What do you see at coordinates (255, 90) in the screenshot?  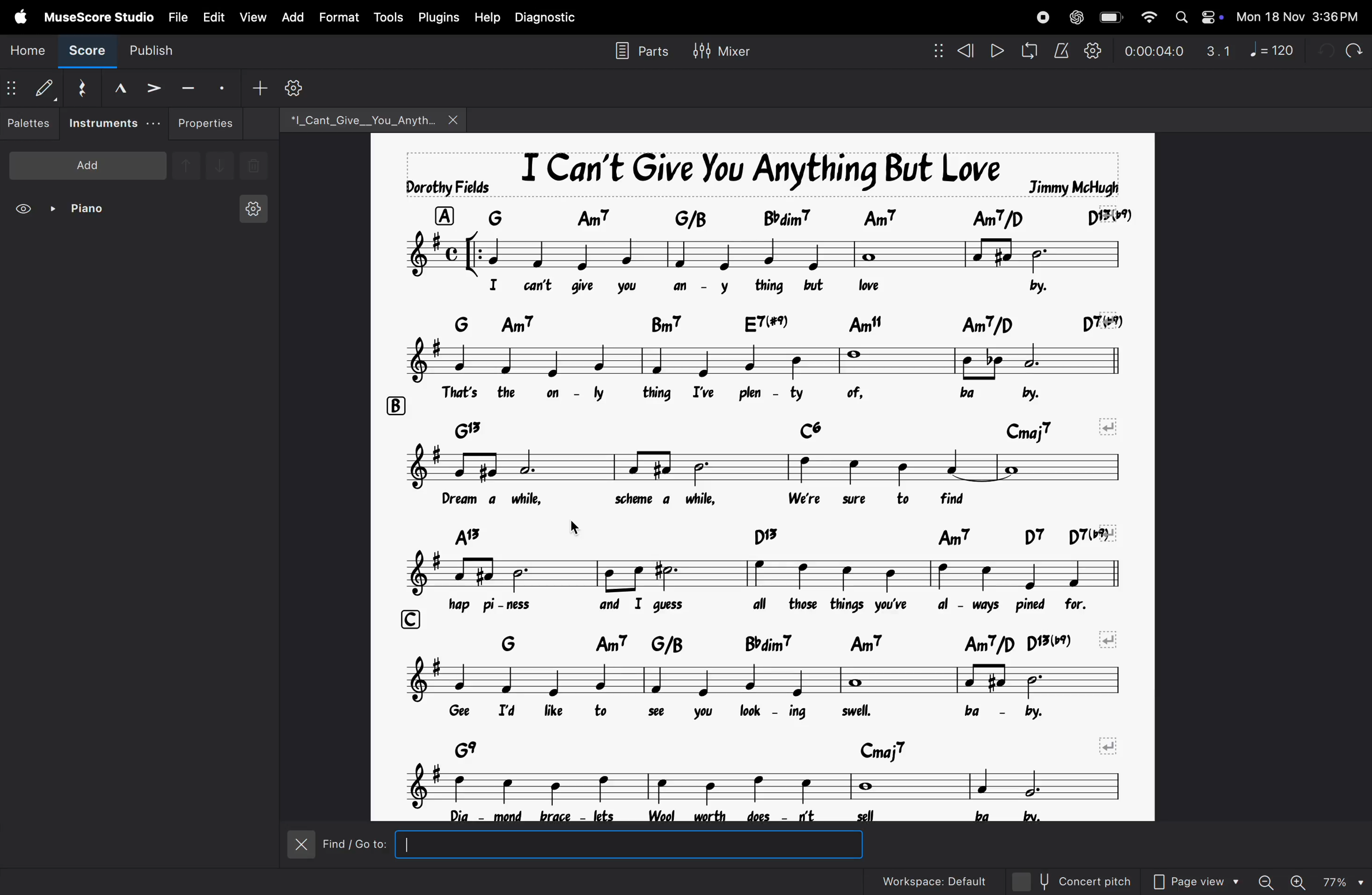 I see `add` at bounding box center [255, 90].